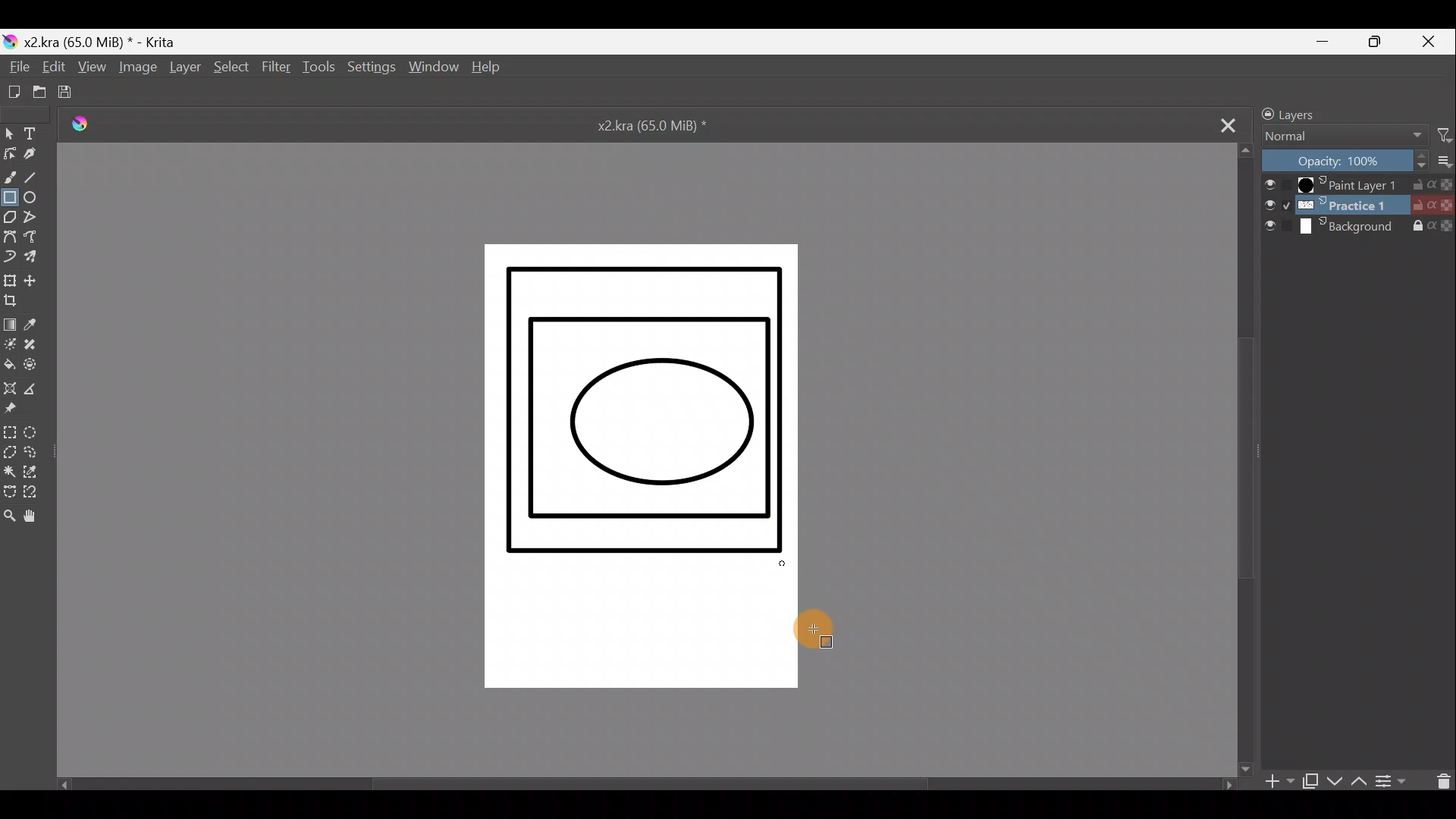  What do you see at coordinates (1395, 781) in the screenshot?
I see `View/change layer properties` at bounding box center [1395, 781].